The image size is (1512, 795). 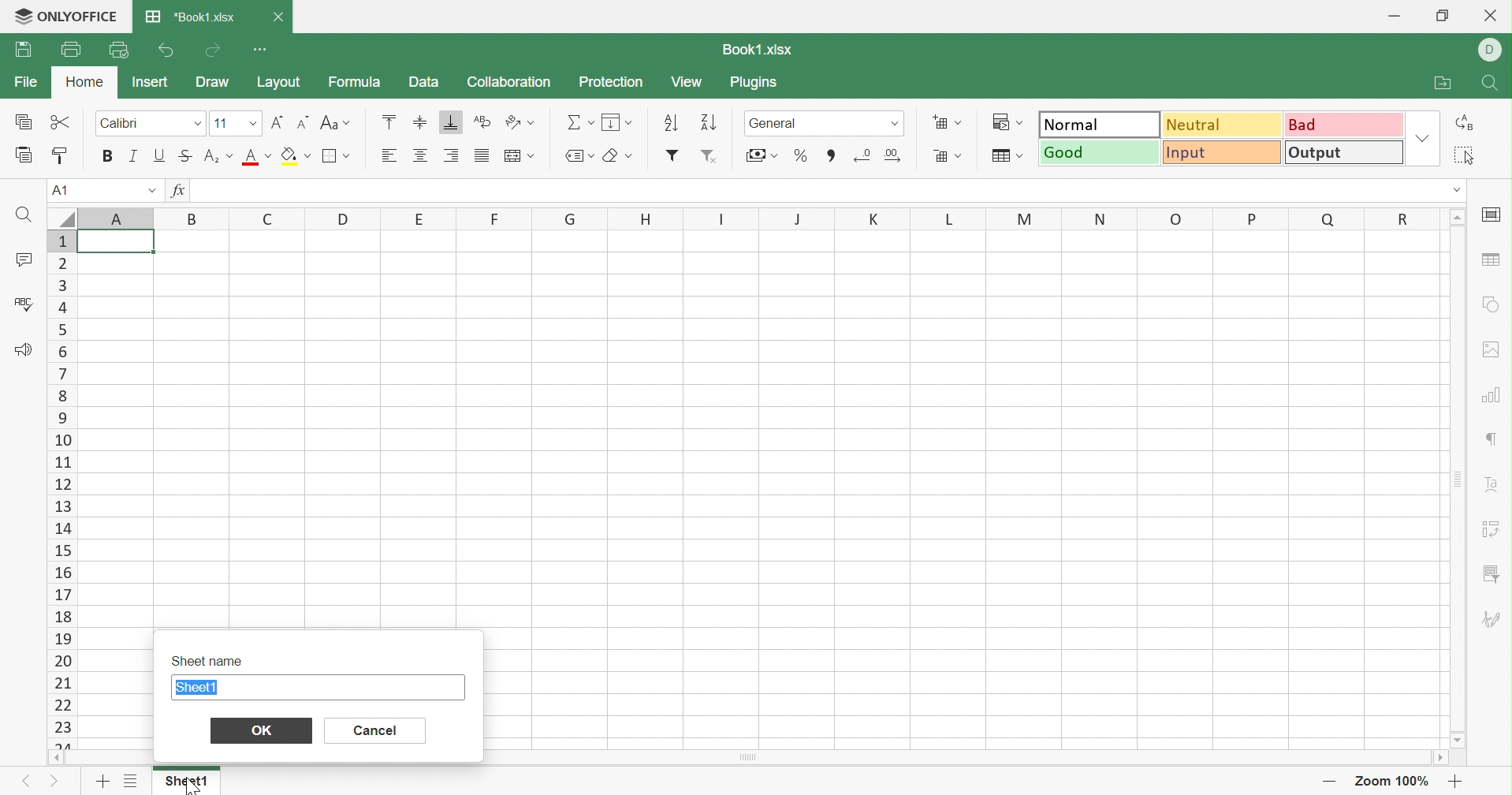 What do you see at coordinates (71, 48) in the screenshot?
I see `Print` at bounding box center [71, 48].